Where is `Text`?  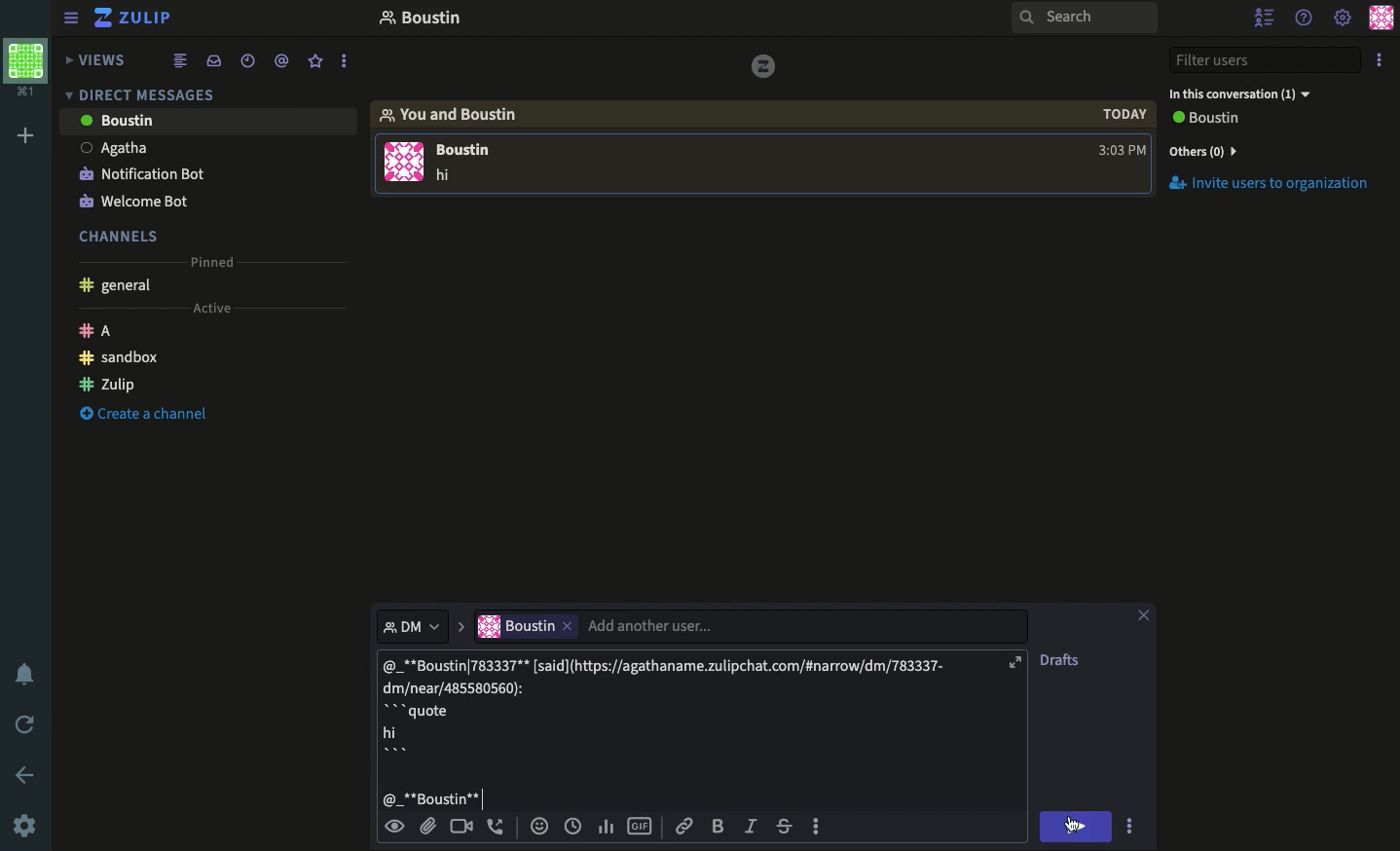
Text is located at coordinates (447, 176).